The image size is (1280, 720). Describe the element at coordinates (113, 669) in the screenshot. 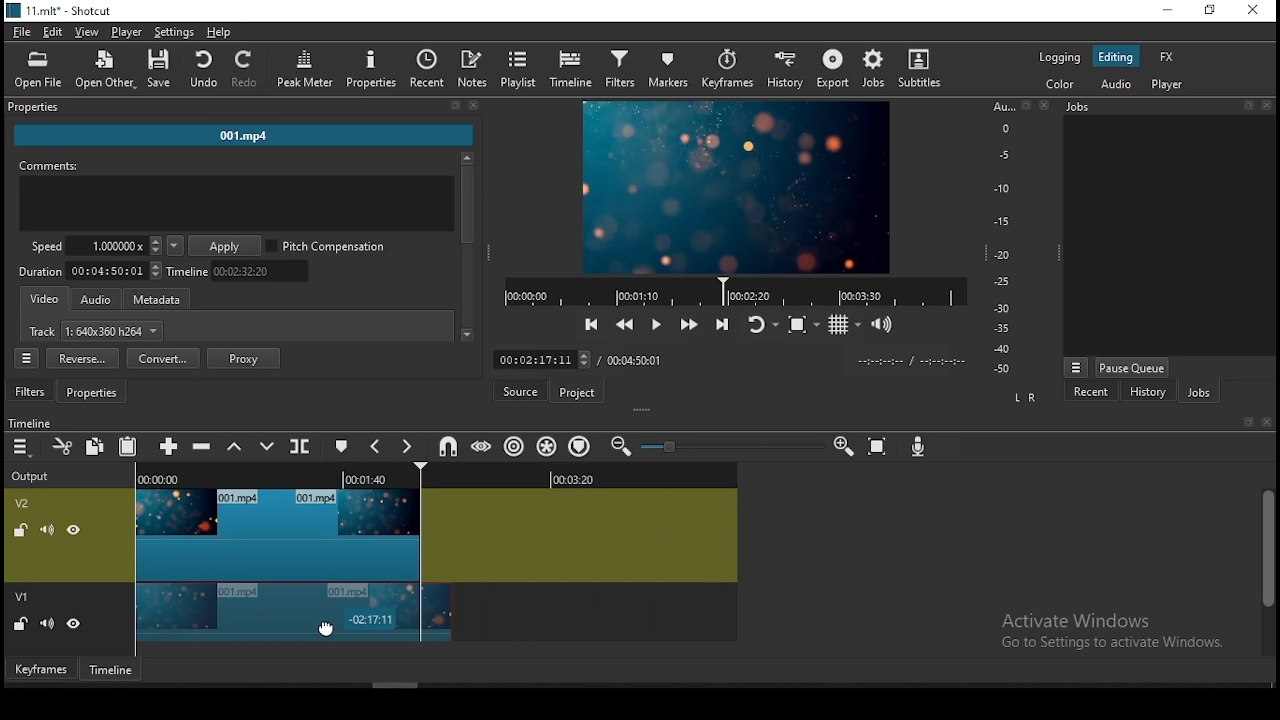

I see `timeline` at that location.